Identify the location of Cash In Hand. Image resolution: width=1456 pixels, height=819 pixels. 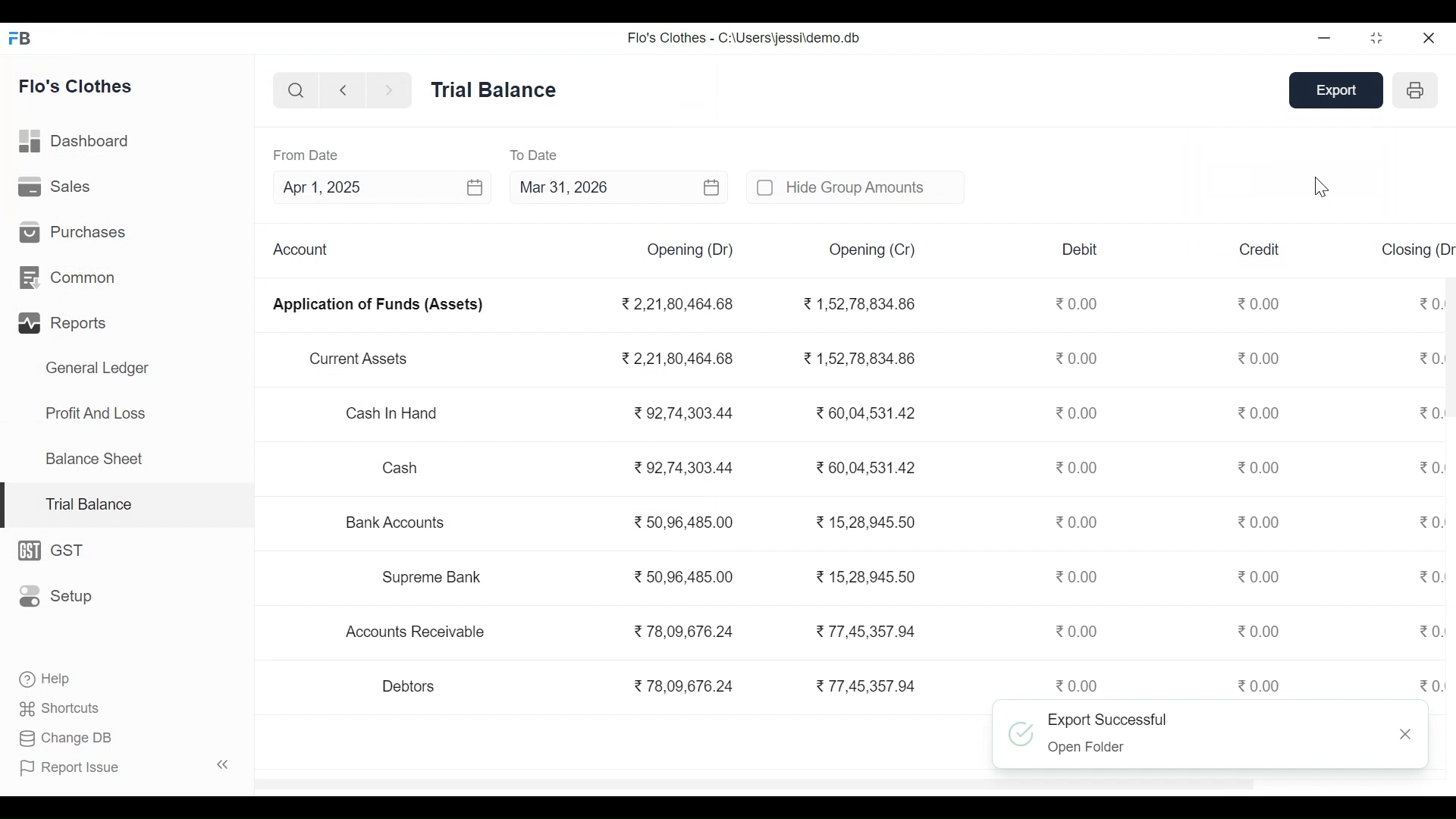
(398, 415).